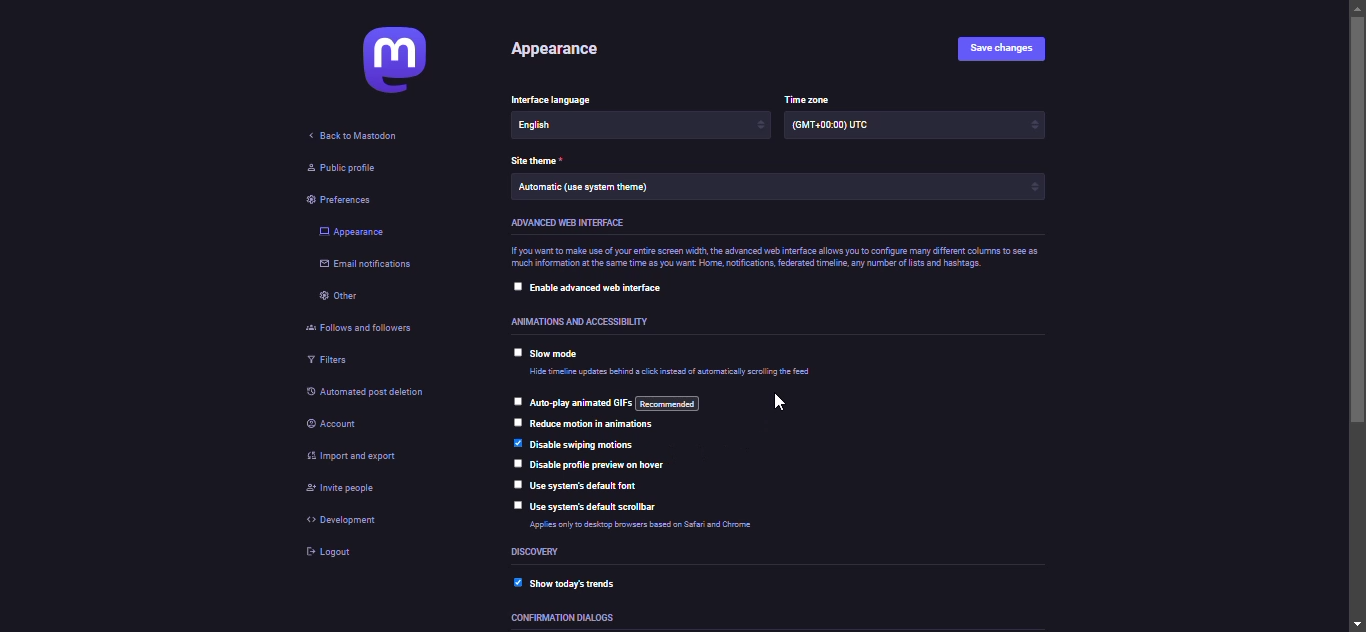 The width and height of the screenshot is (1366, 632). What do you see at coordinates (600, 188) in the screenshot?
I see `theme` at bounding box center [600, 188].